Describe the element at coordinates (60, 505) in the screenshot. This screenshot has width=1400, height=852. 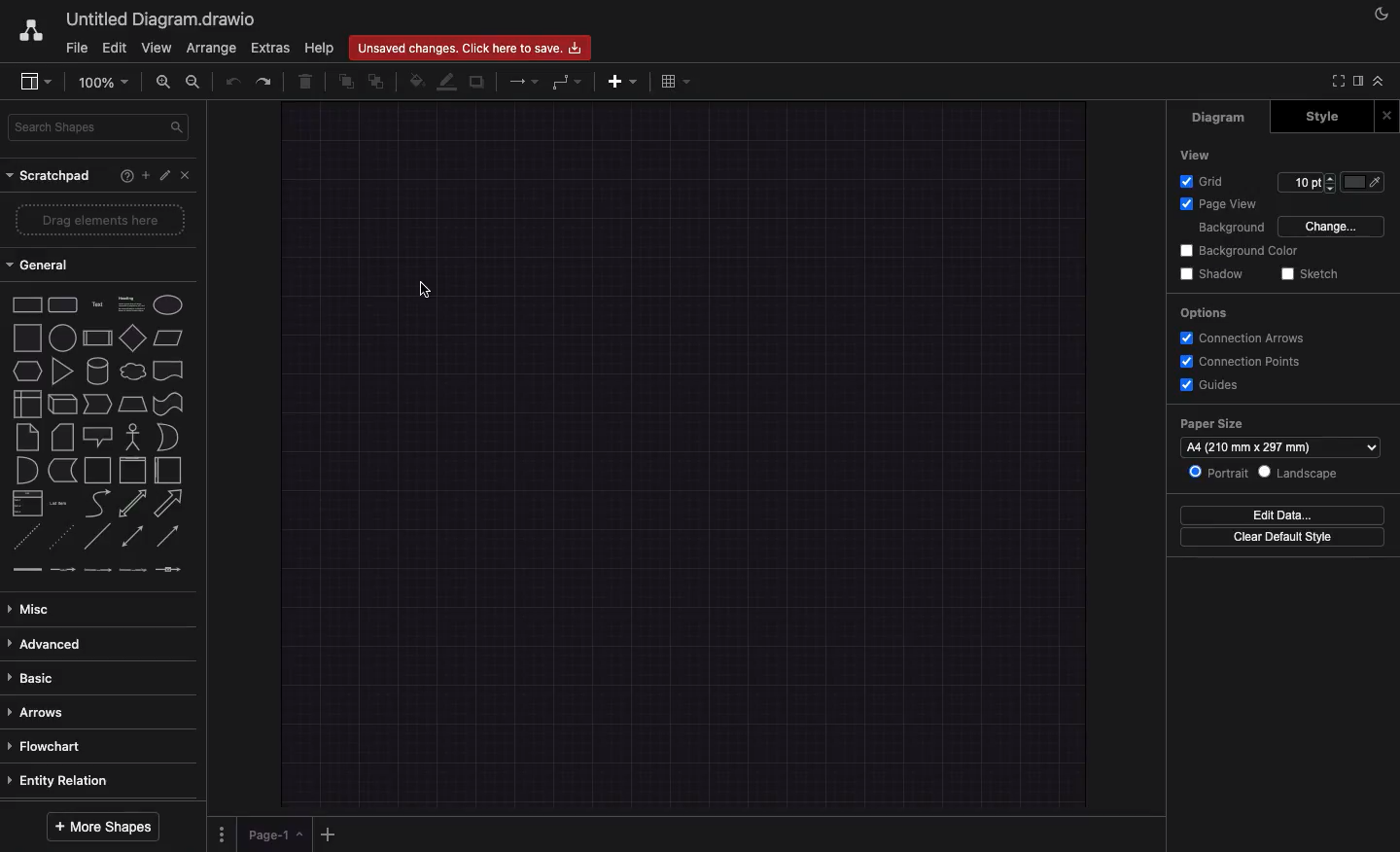
I see `list item` at that location.